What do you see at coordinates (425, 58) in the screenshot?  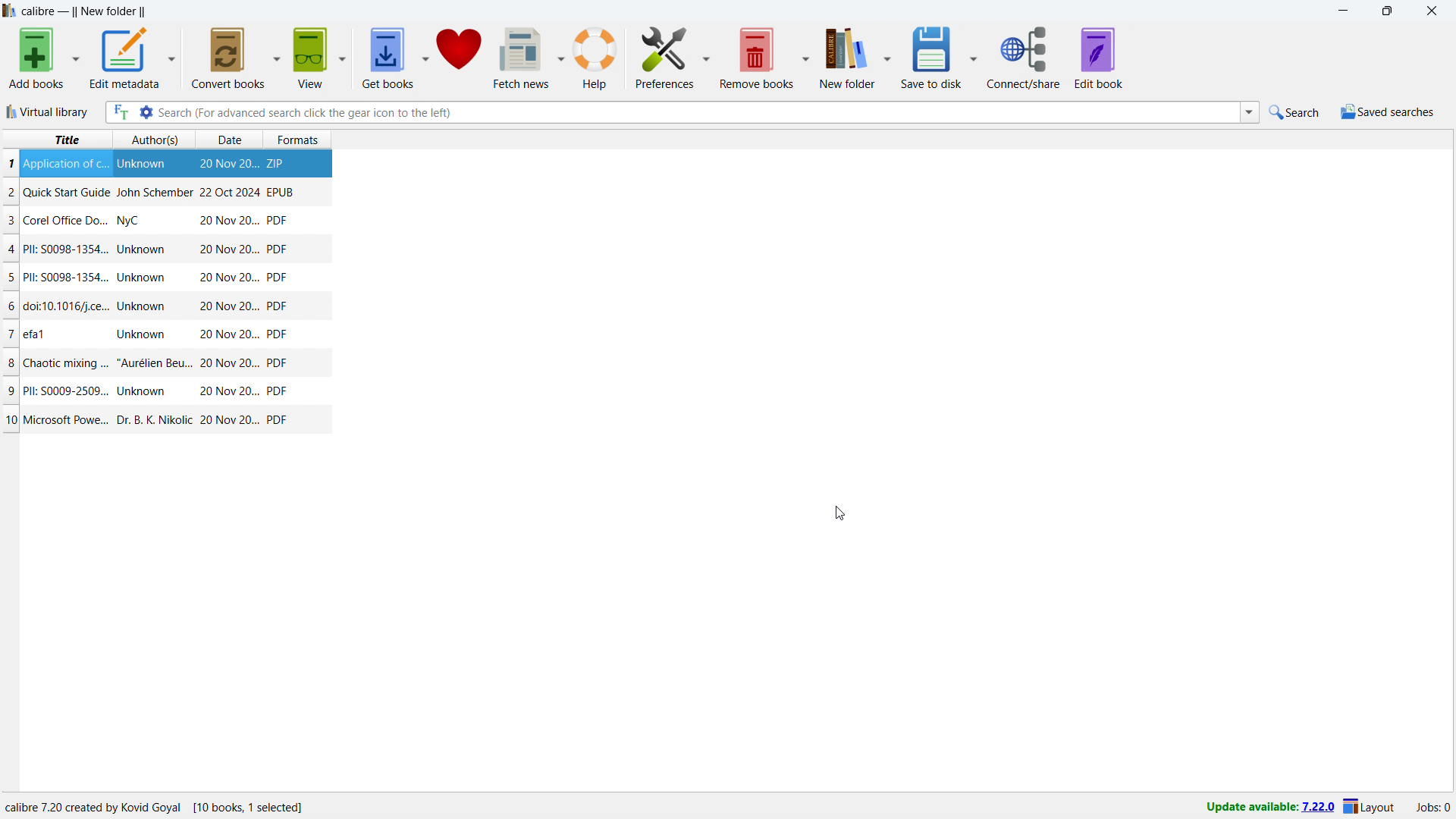 I see `get books options` at bounding box center [425, 58].